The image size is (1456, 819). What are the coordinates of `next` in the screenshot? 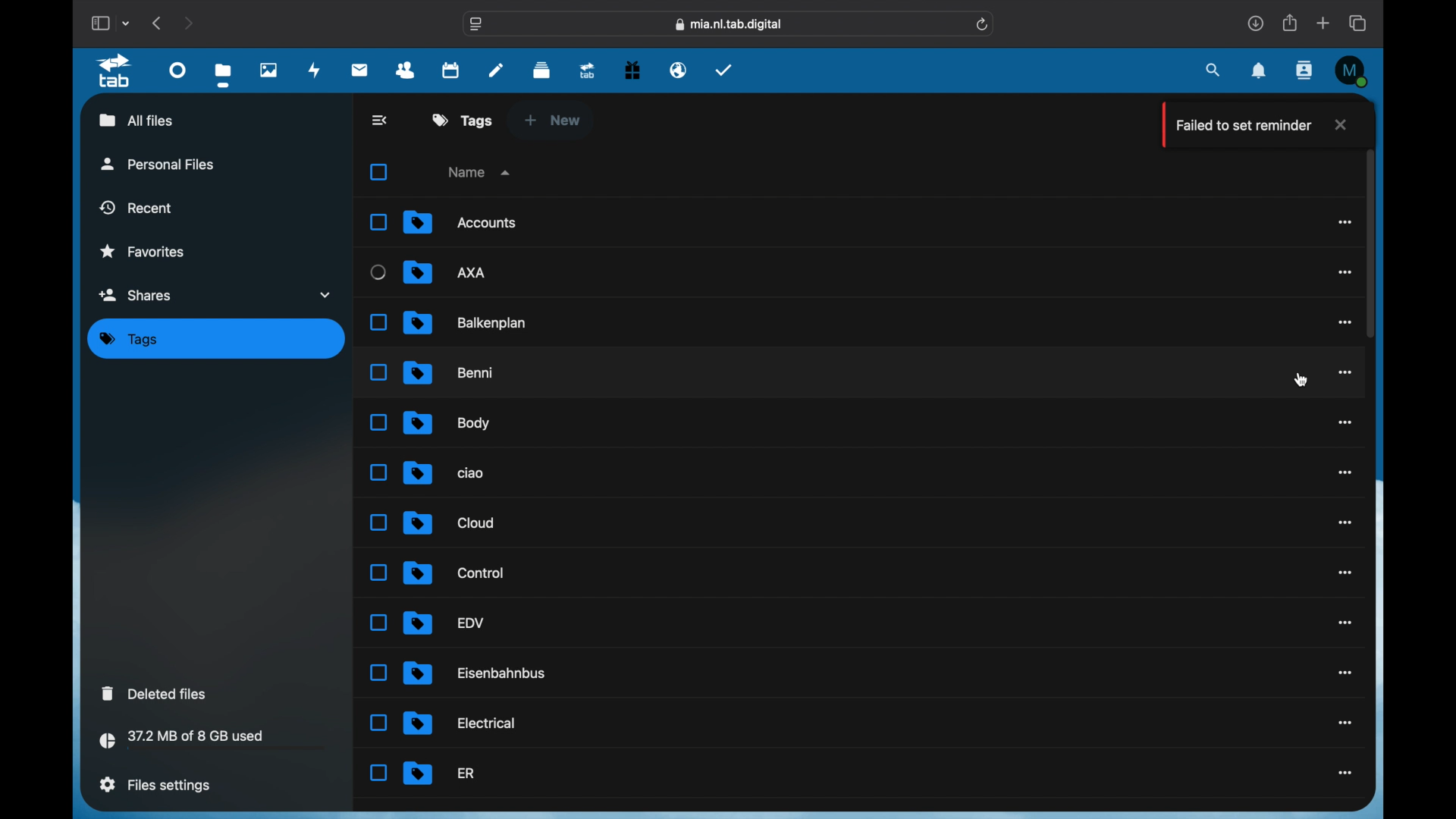 It's located at (190, 23).